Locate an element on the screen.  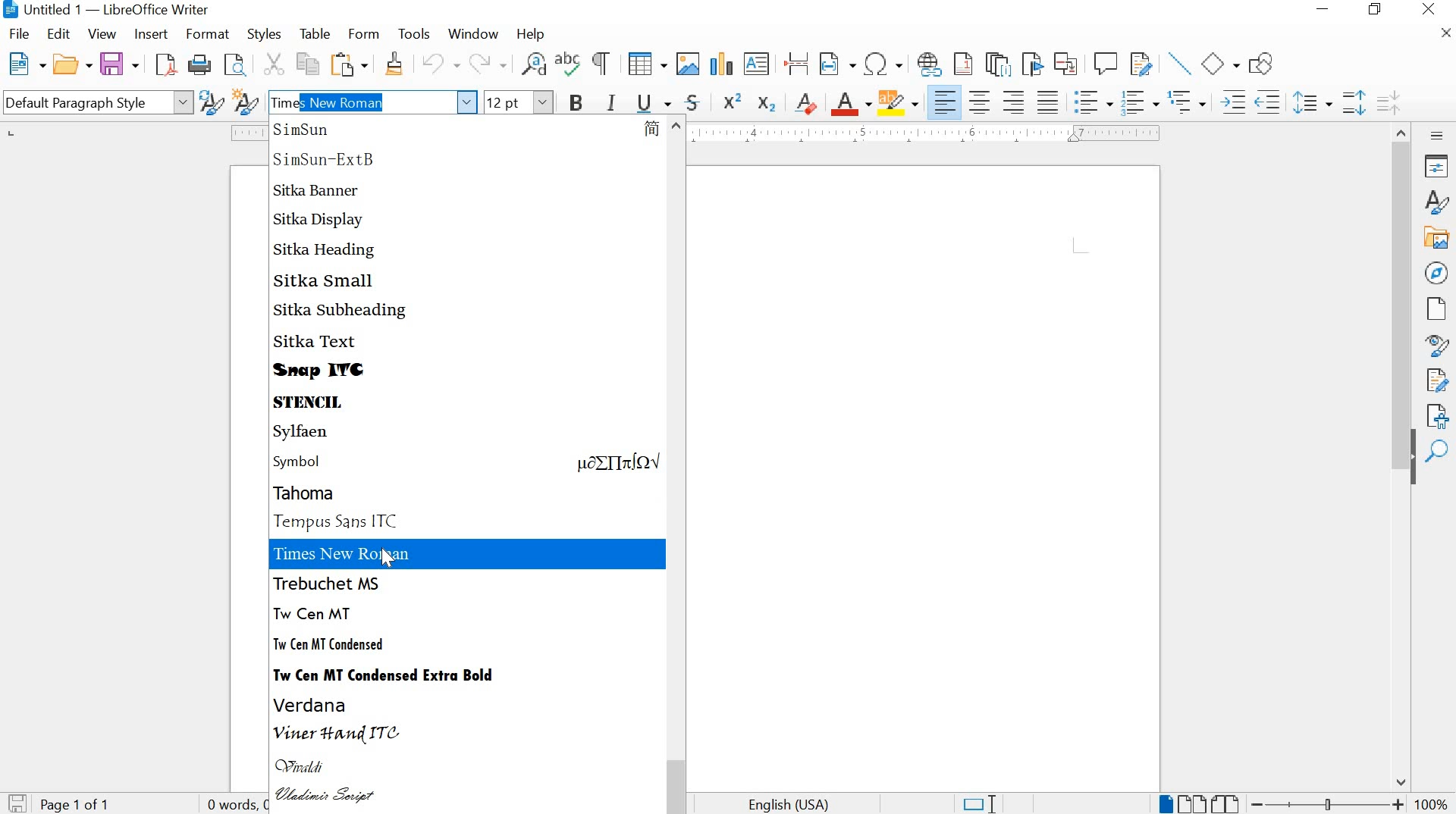
WORD AND CHARACTER COUNT is located at coordinates (233, 800).